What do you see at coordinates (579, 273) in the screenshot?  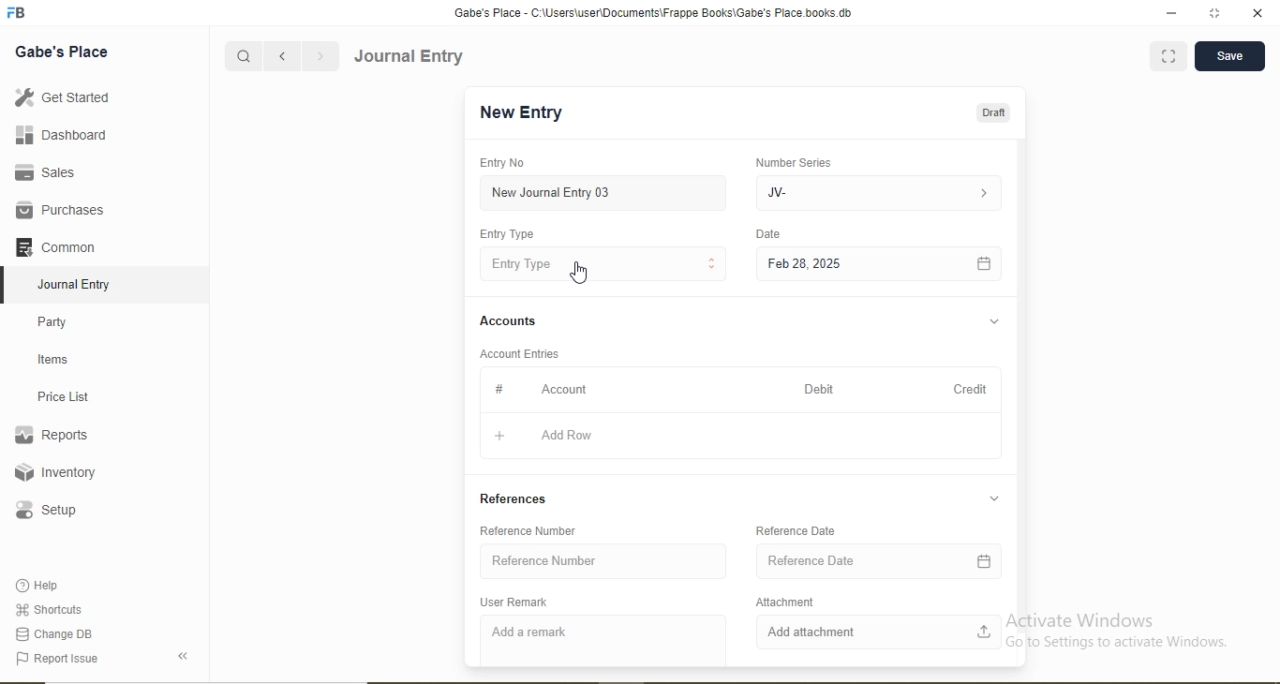 I see `Cursor` at bounding box center [579, 273].